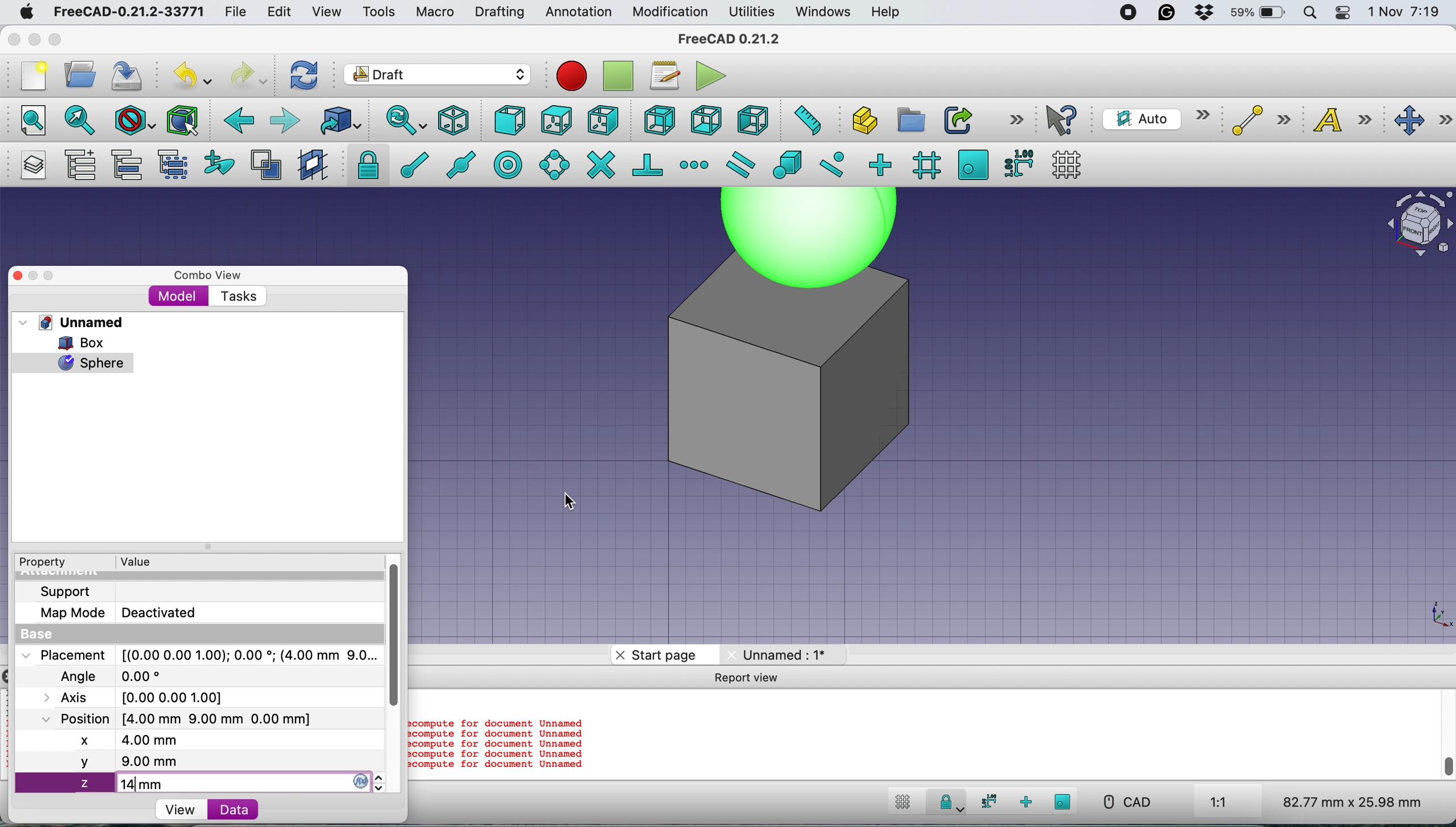 This screenshot has width=1456, height=827. I want to click on refresh, so click(302, 74).